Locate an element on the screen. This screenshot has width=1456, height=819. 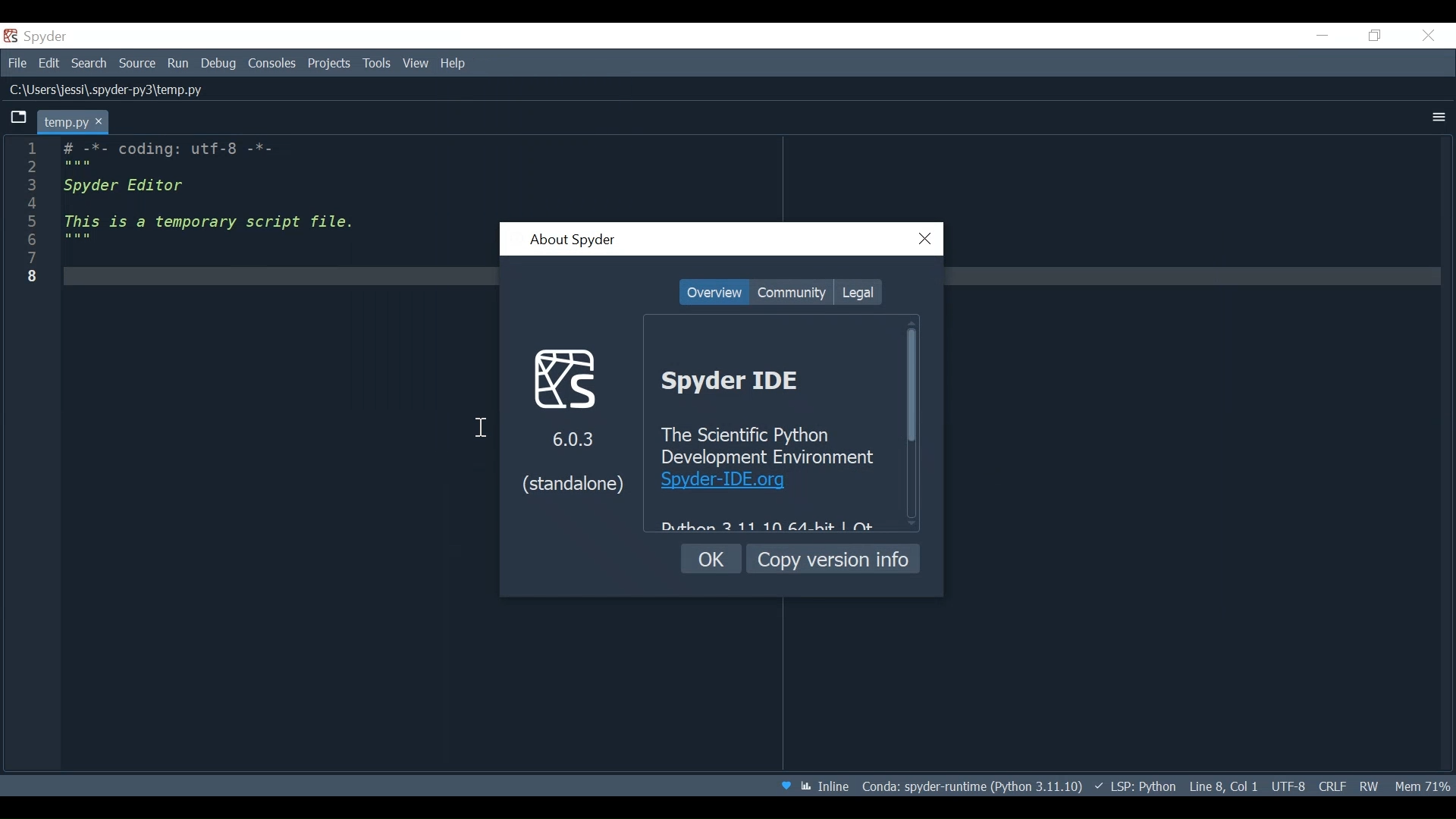
Memory Usage is located at coordinates (1422, 786).